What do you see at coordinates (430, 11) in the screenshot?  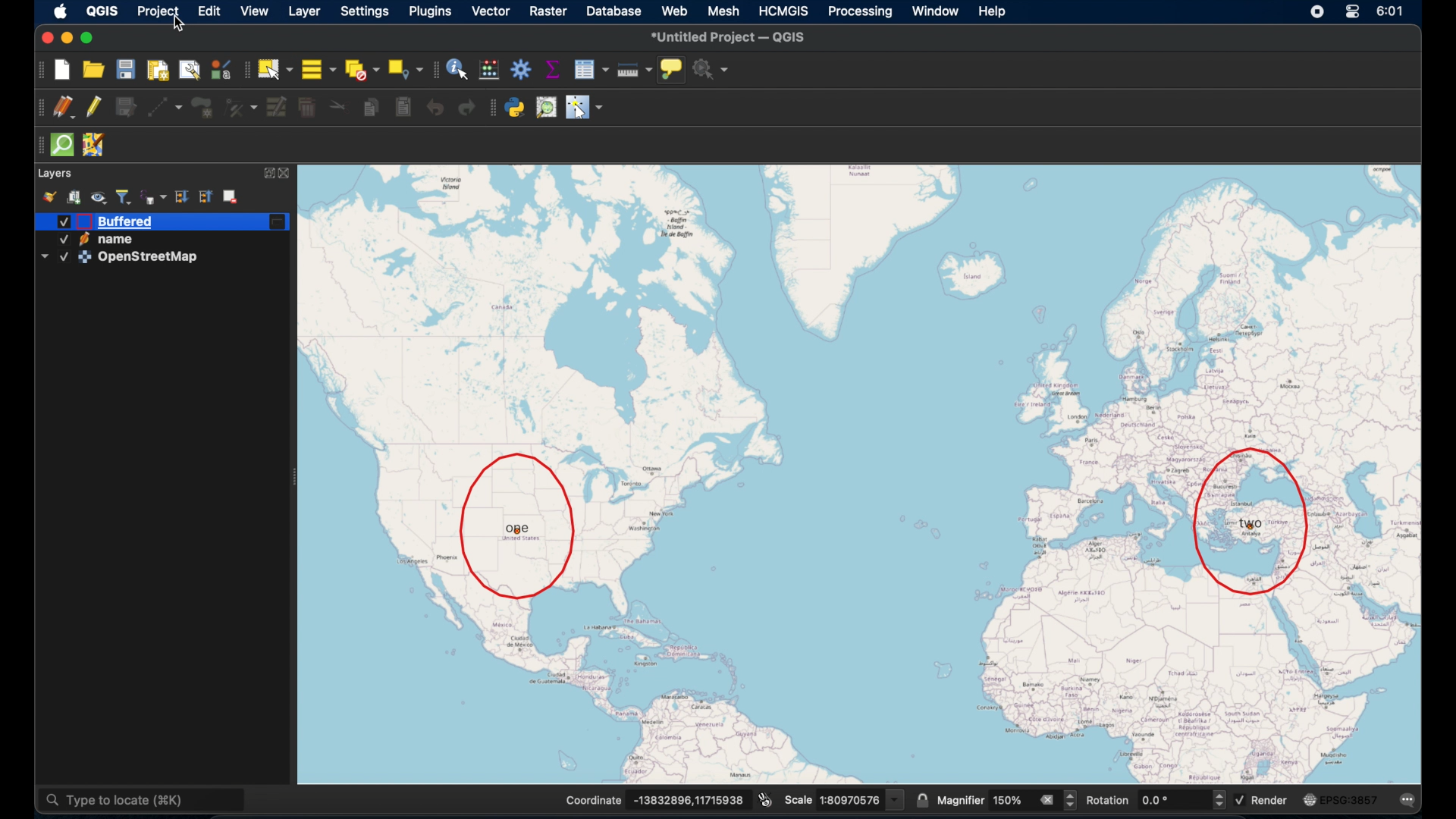 I see `plugins` at bounding box center [430, 11].